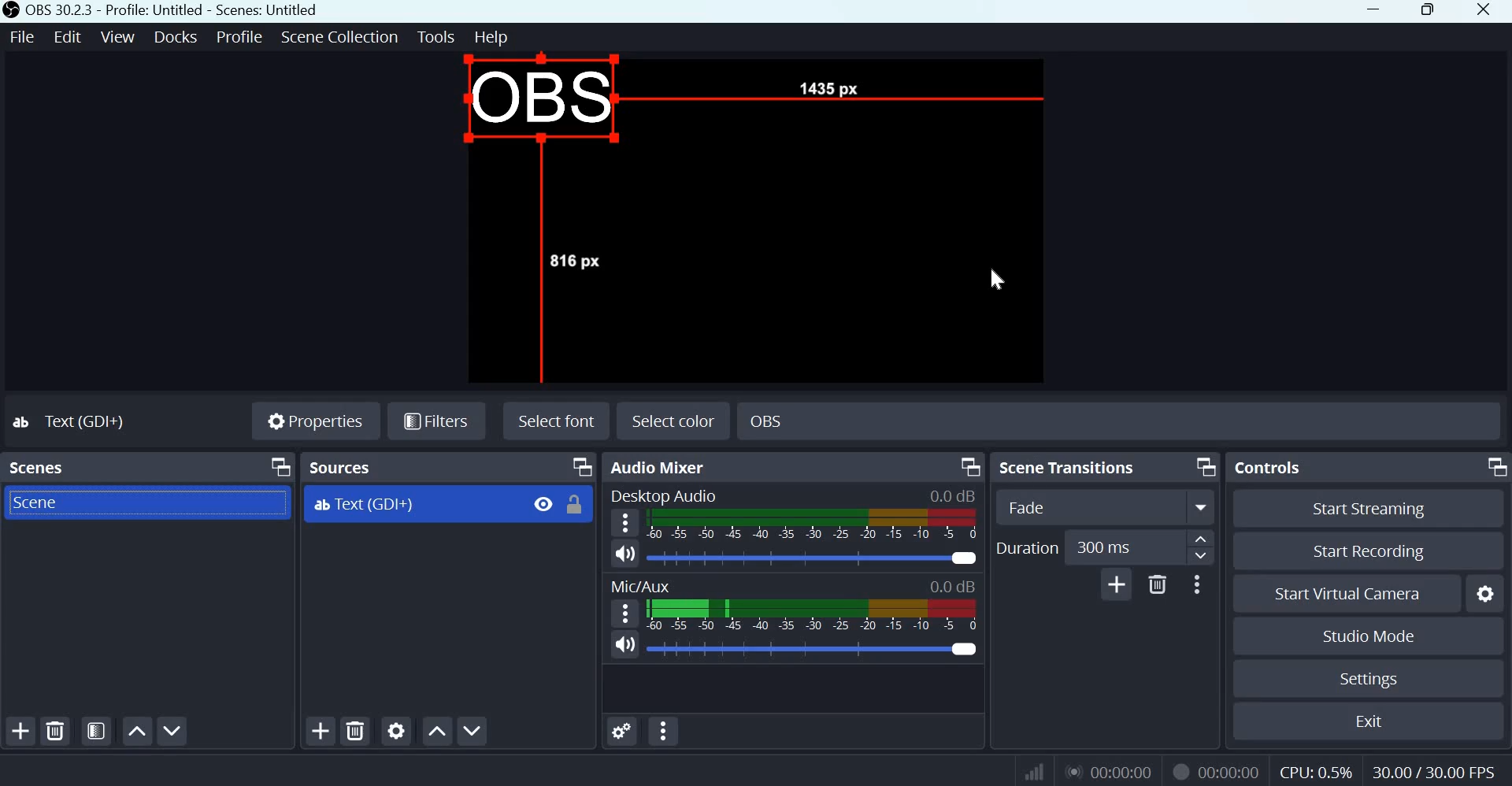  What do you see at coordinates (813, 558) in the screenshot?
I see `Audio Slider` at bounding box center [813, 558].